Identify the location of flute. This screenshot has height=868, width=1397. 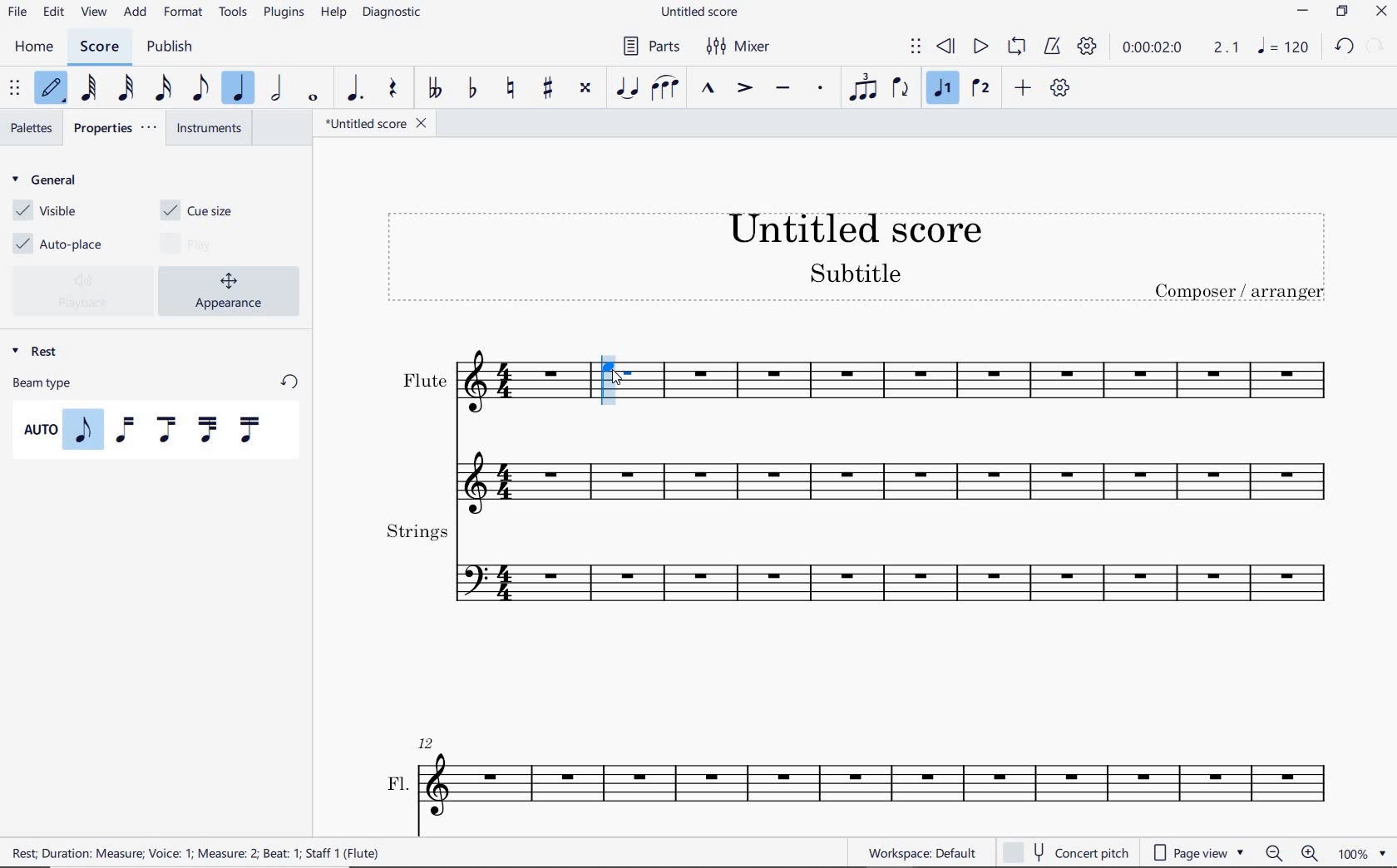
(481, 384).